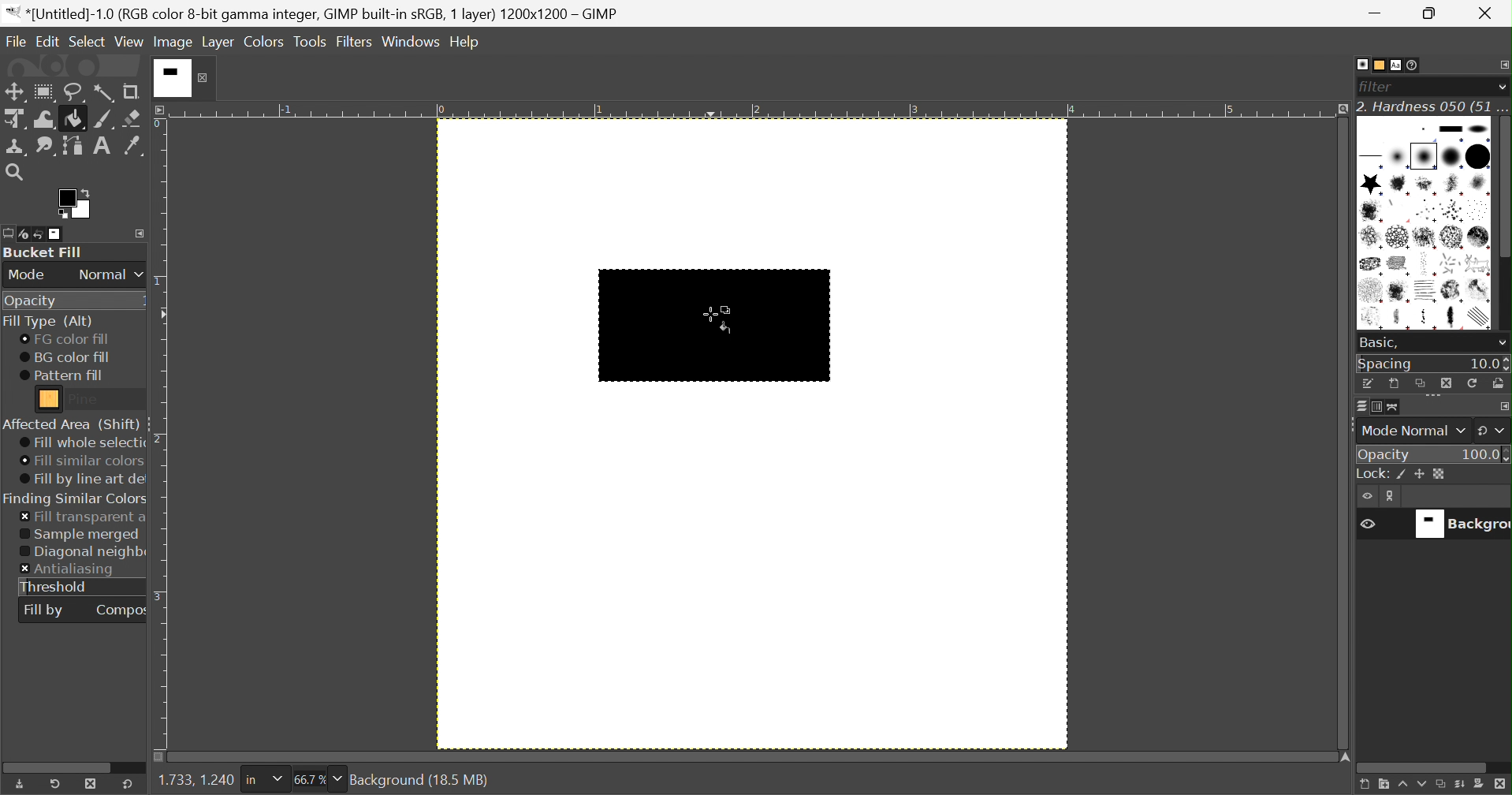 Image resolution: width=1512 pixels, height=795 pixels. I want to click on Fill by, so click(43, 611).